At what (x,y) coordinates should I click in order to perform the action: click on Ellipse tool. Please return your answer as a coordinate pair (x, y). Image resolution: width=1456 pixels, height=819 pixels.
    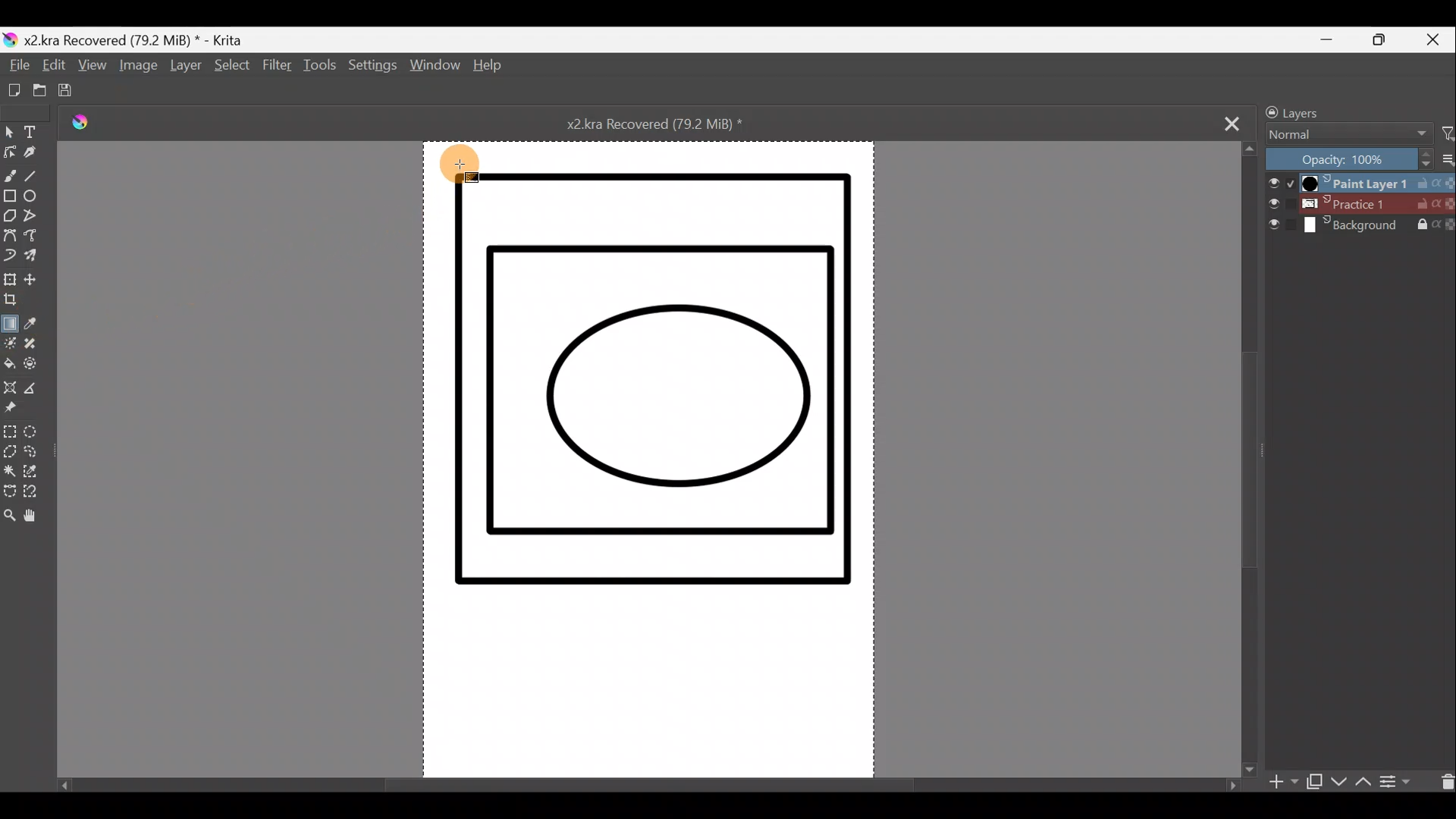
    Looking at the image, I should click on (35, 199).